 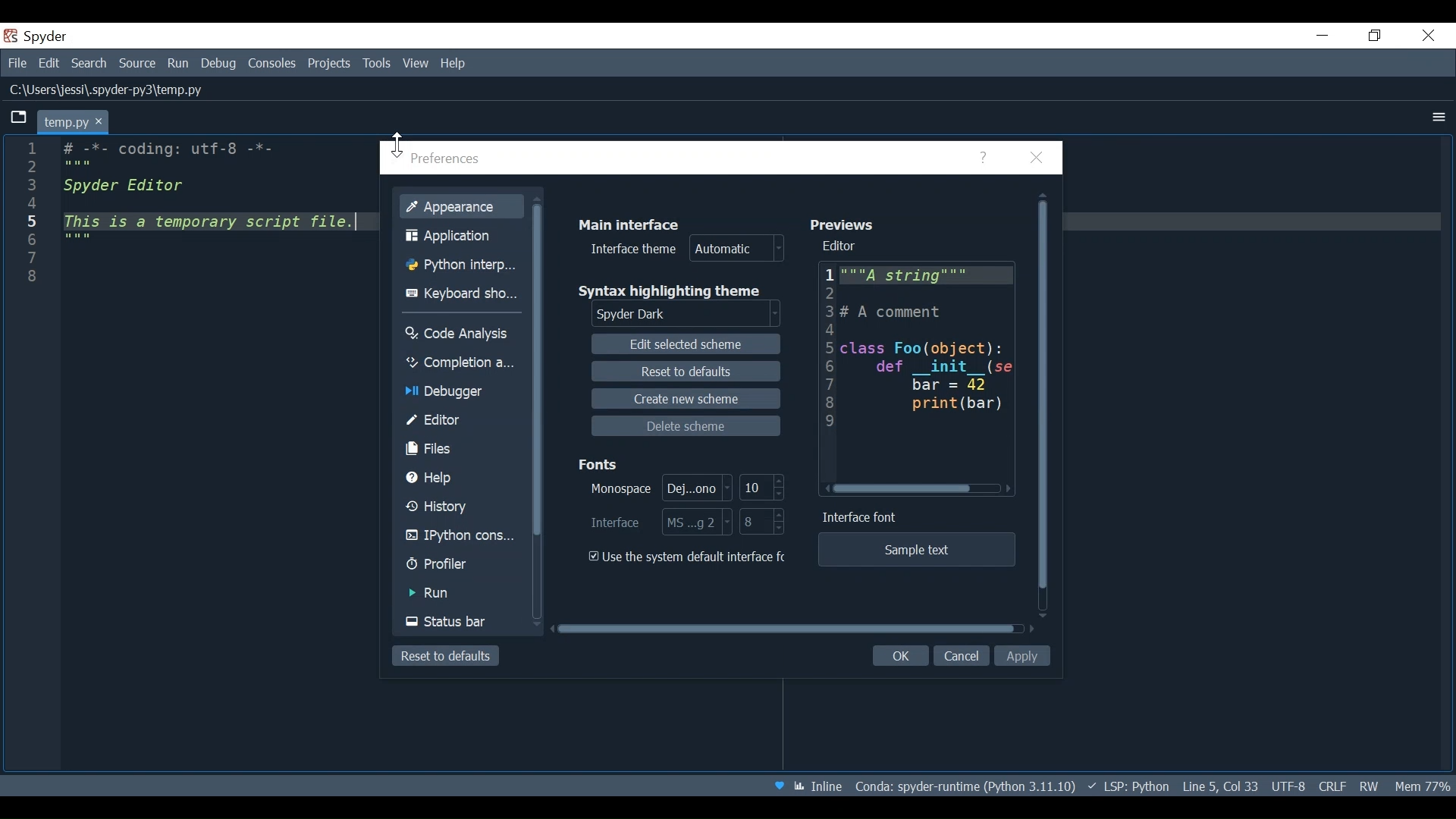 What do you see at coordinates (821, 785) in the screenshot?
I see `Toggle between inline and interactive Matplotlib plotting` at bounding box center [821, 785].